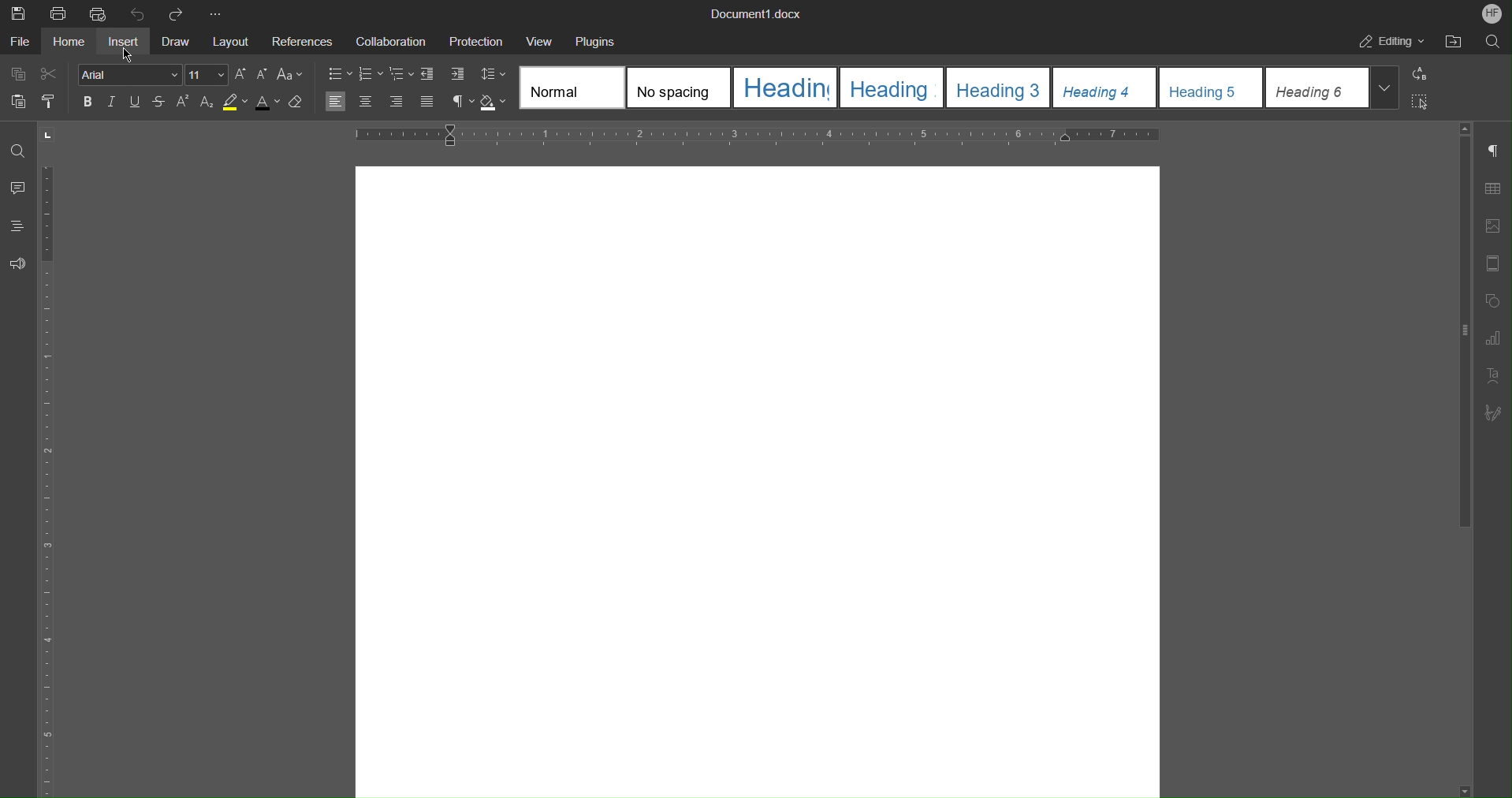  I want to click on Protection, so click(478, 40).